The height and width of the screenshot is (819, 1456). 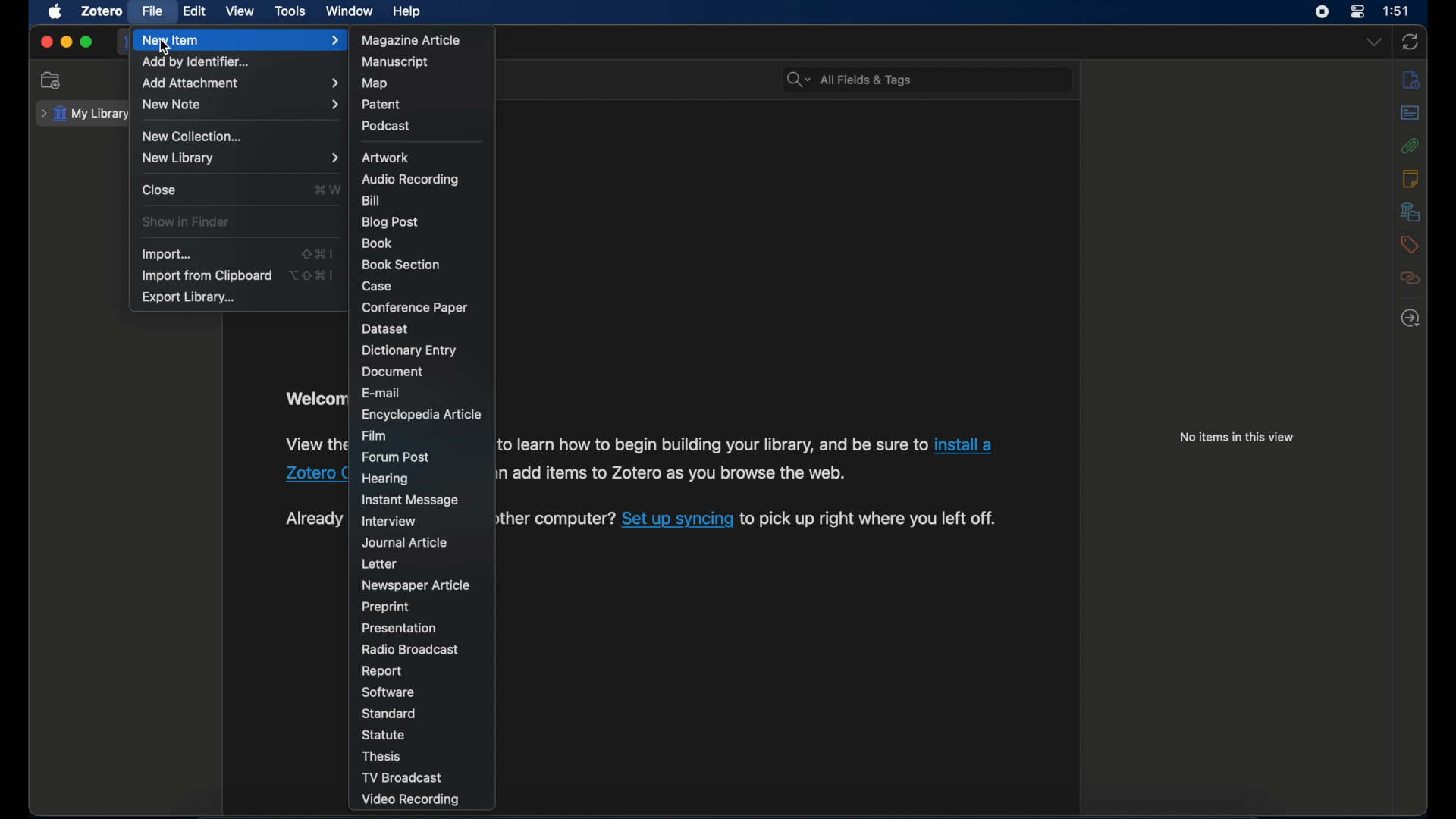 What do you see at coordinates (168, 254) in the screenshot?
I see `import` at bounding box center [168, 254].